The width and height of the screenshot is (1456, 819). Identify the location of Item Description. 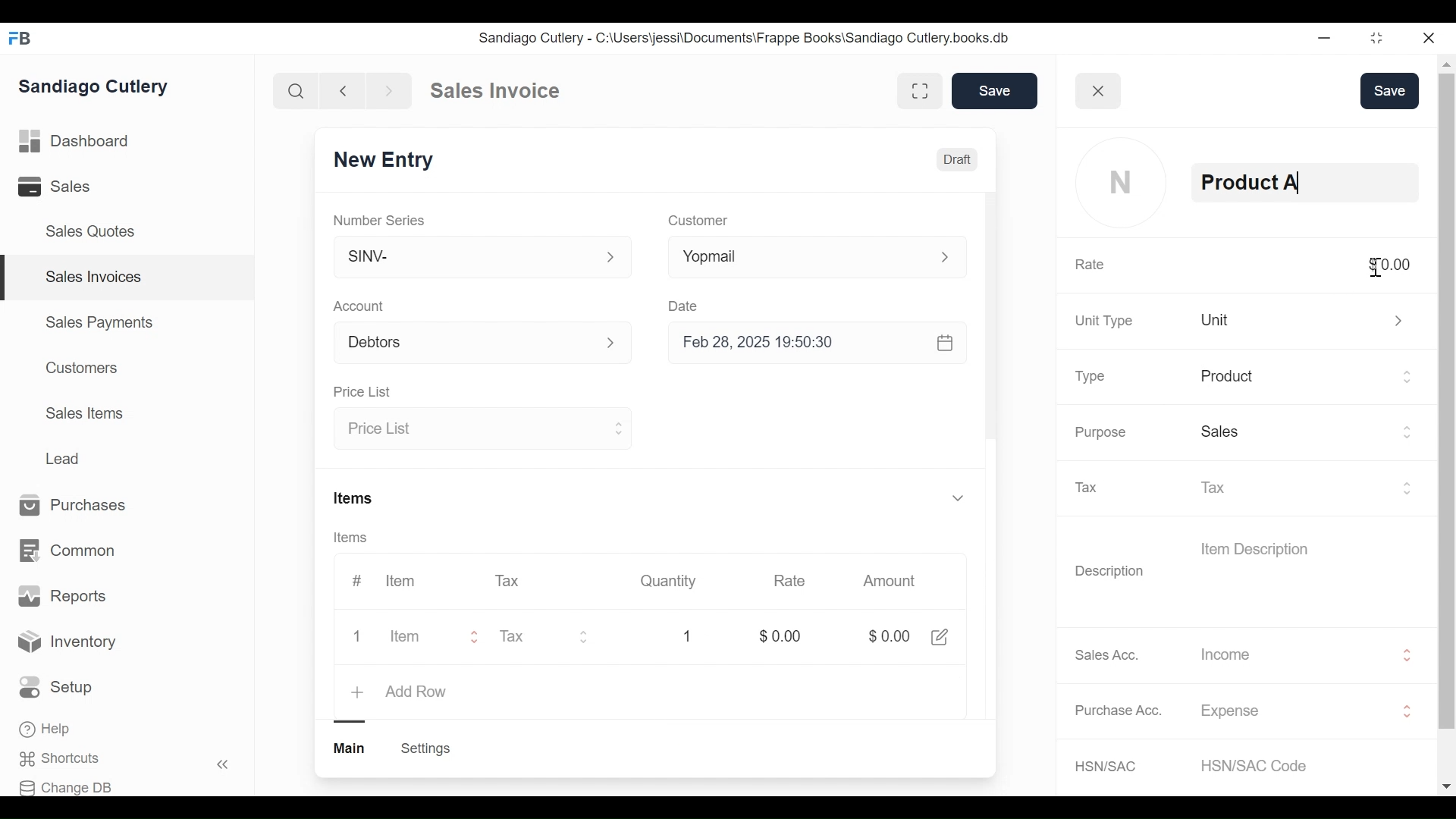
(1254, 548).